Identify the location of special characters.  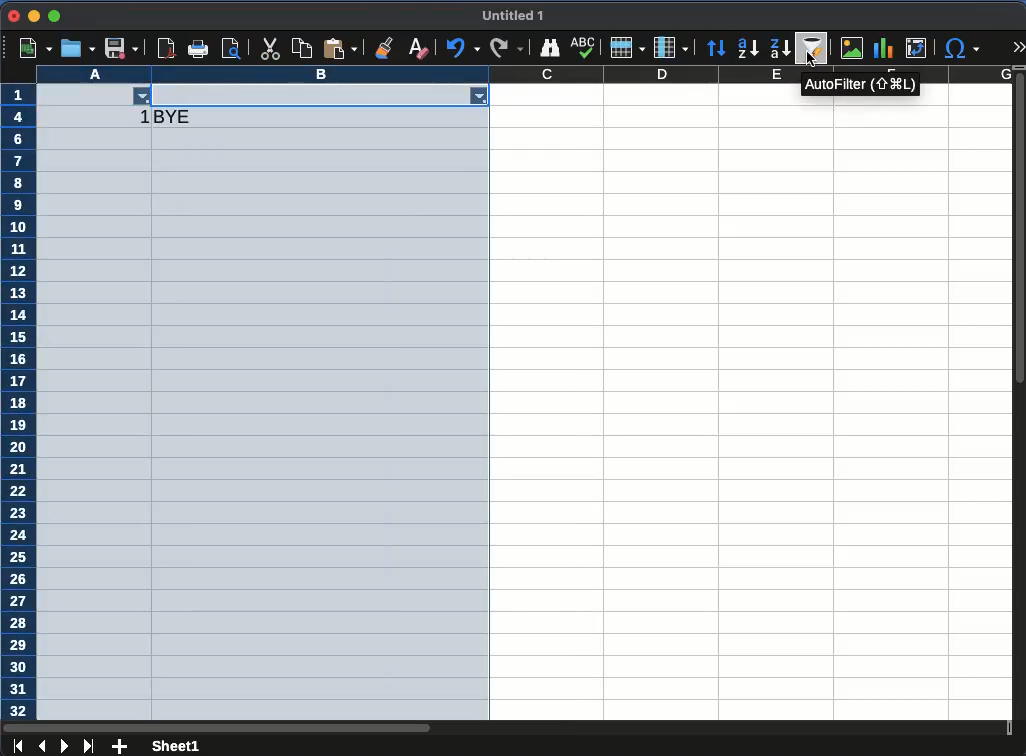
(961, 48).